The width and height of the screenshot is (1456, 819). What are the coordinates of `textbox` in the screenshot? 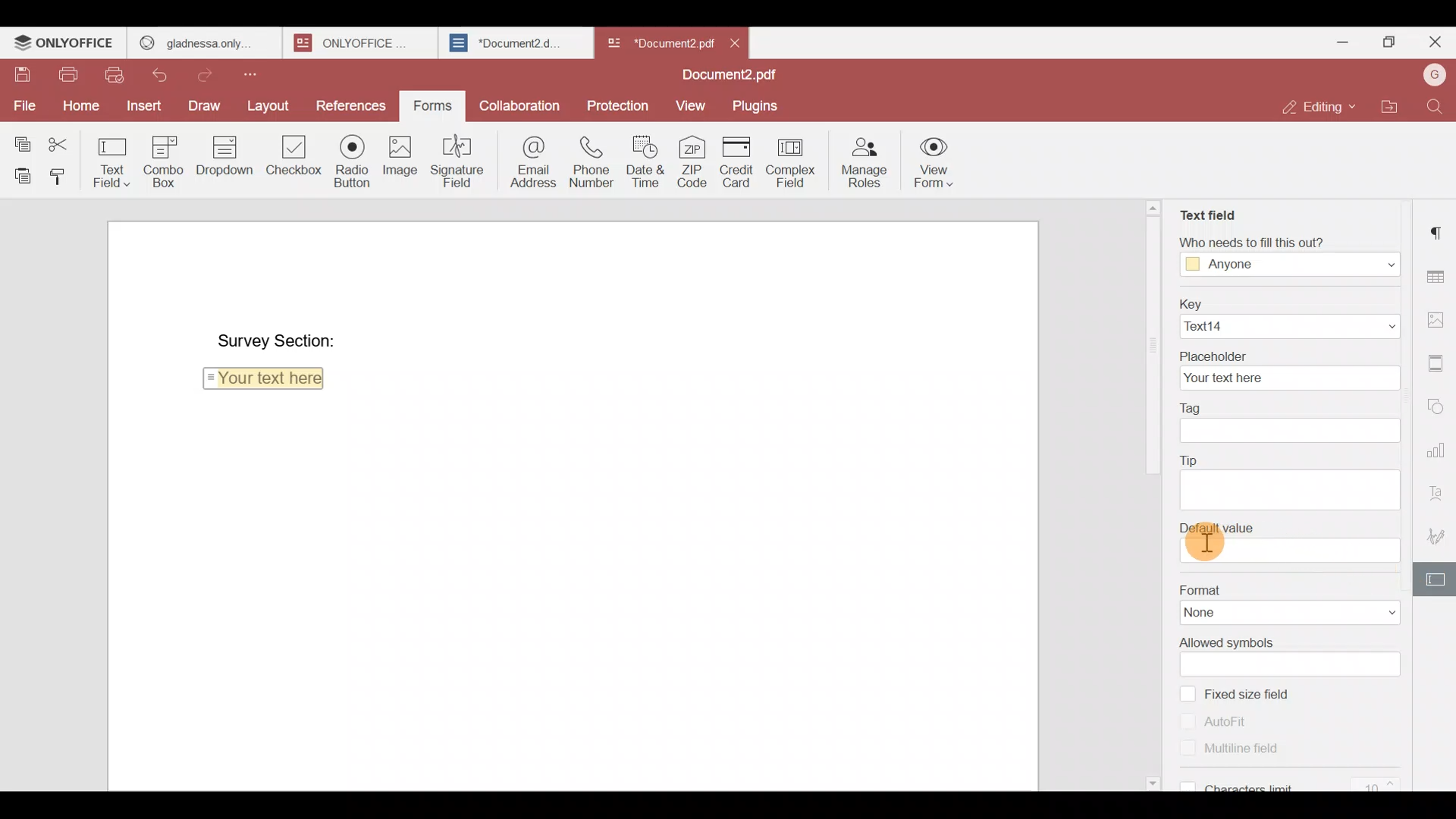 It's located at (1288, 429).